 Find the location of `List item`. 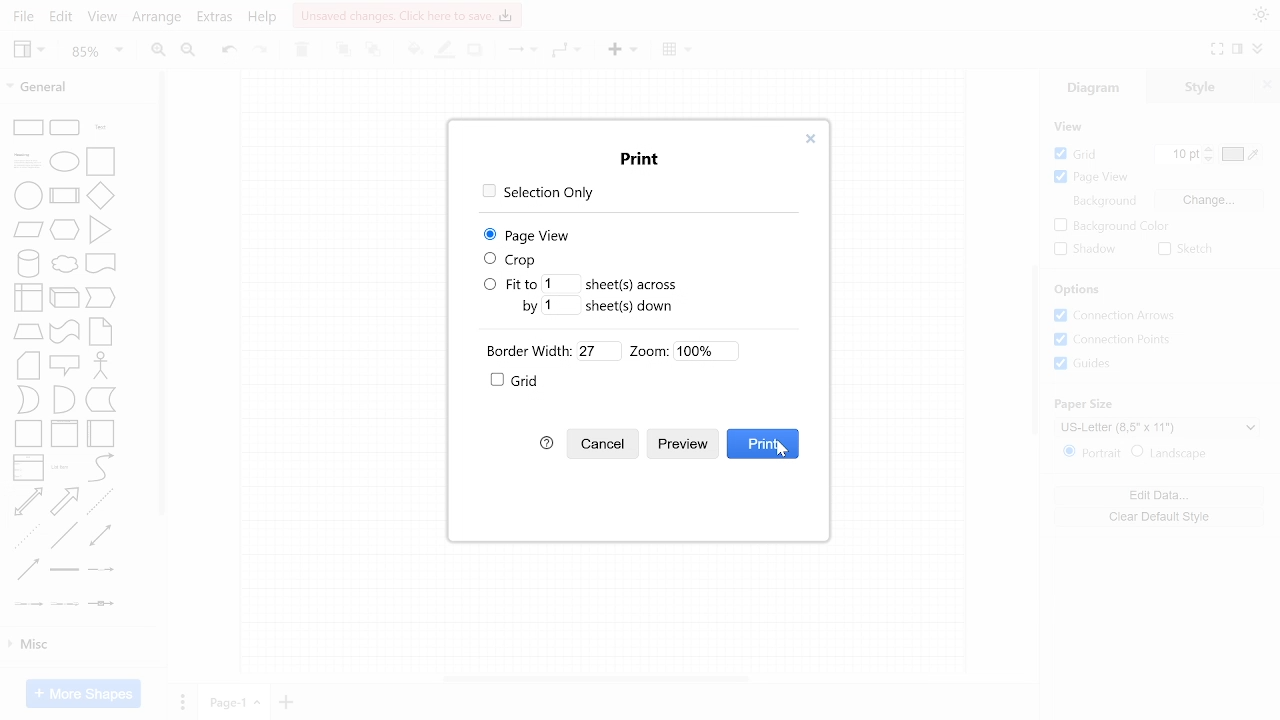

List item is located at coordinates (63, 468).